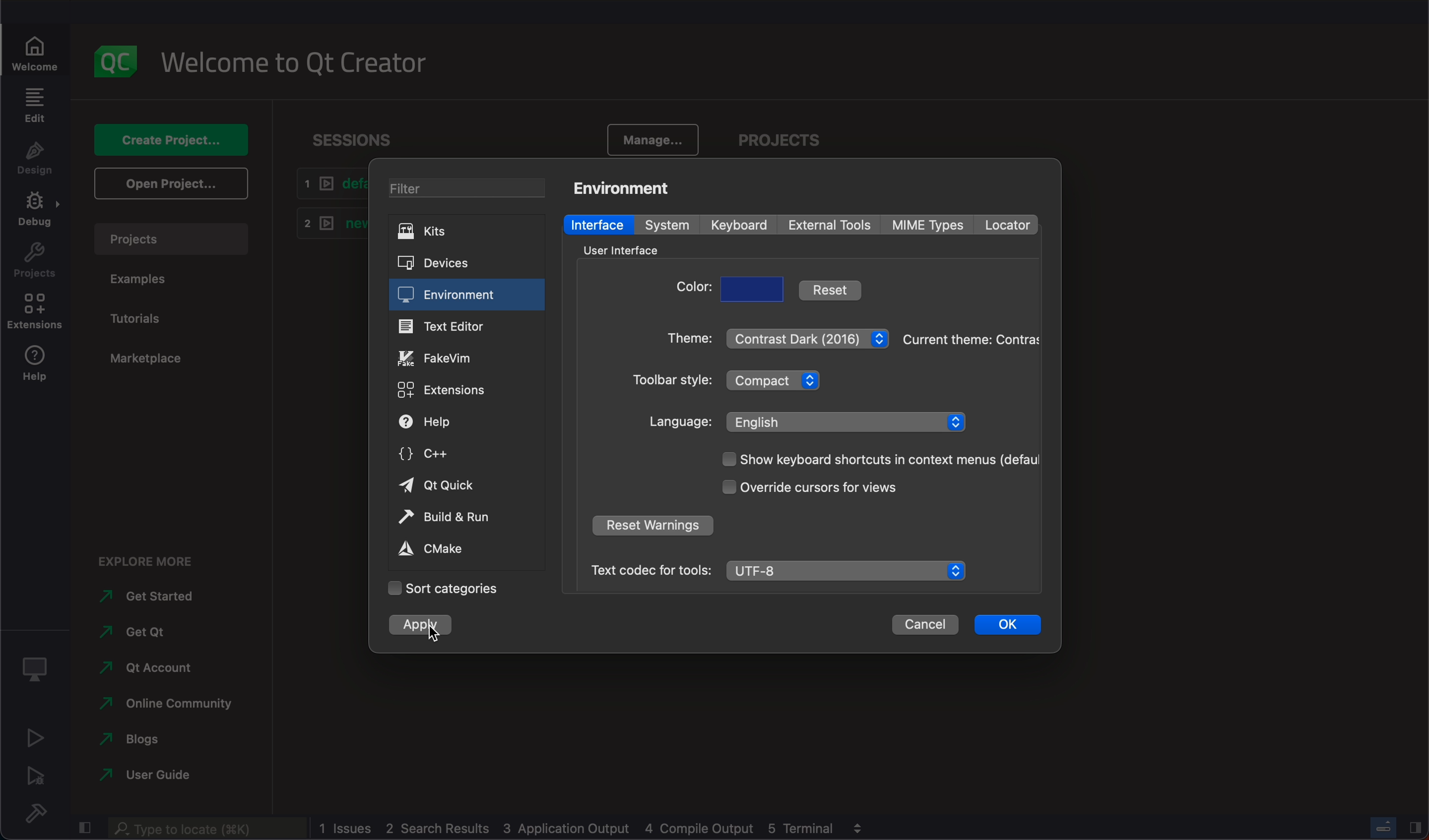 Image resolution: width=1429 pixels, height=840 pixels. What do you see at coordinates (142, 775) in the screenshot?
I see `guide` at bounding box center [142, 775].